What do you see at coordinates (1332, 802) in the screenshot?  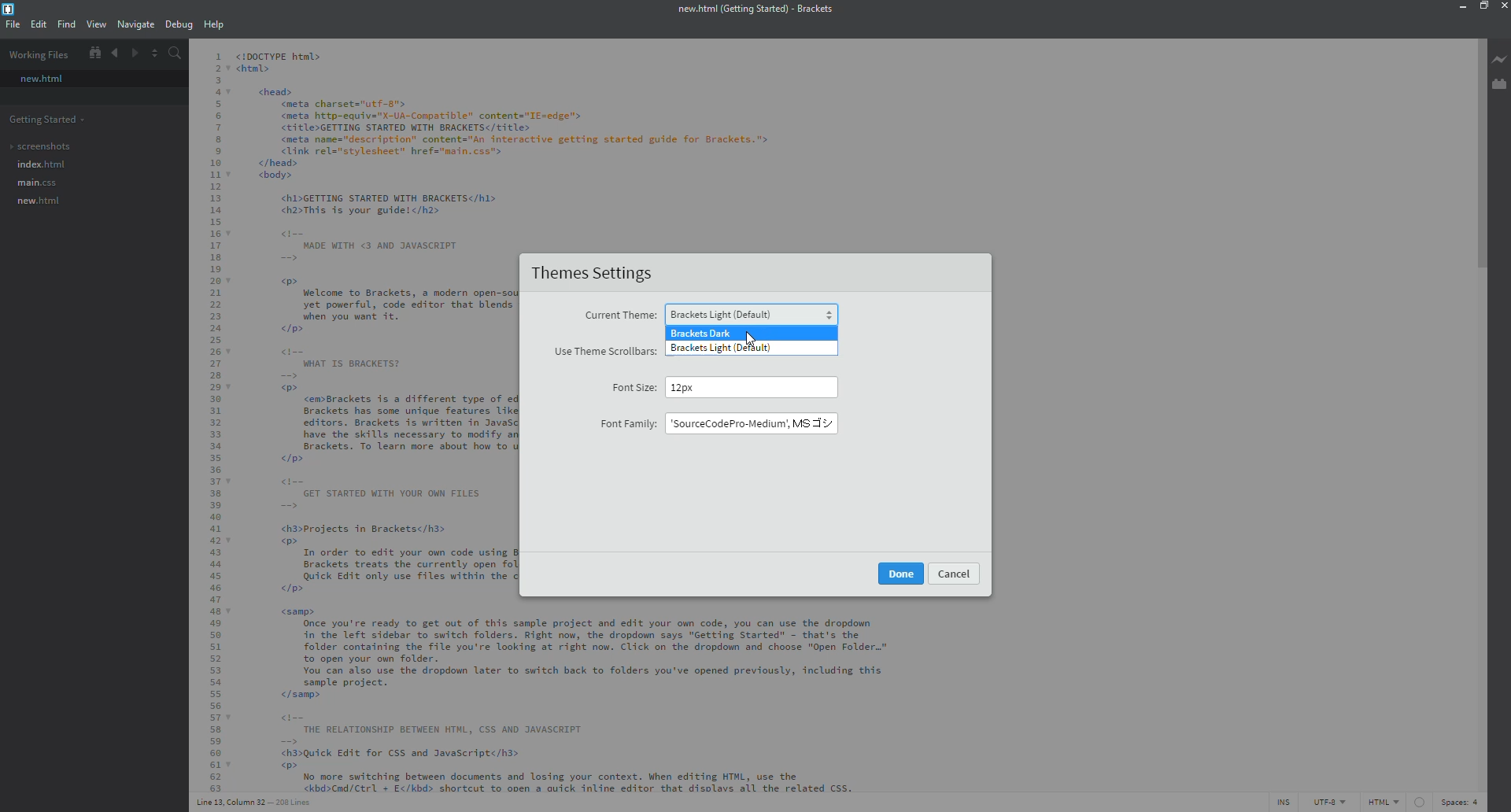 I see `utf` at bounding box center [1332, 802].